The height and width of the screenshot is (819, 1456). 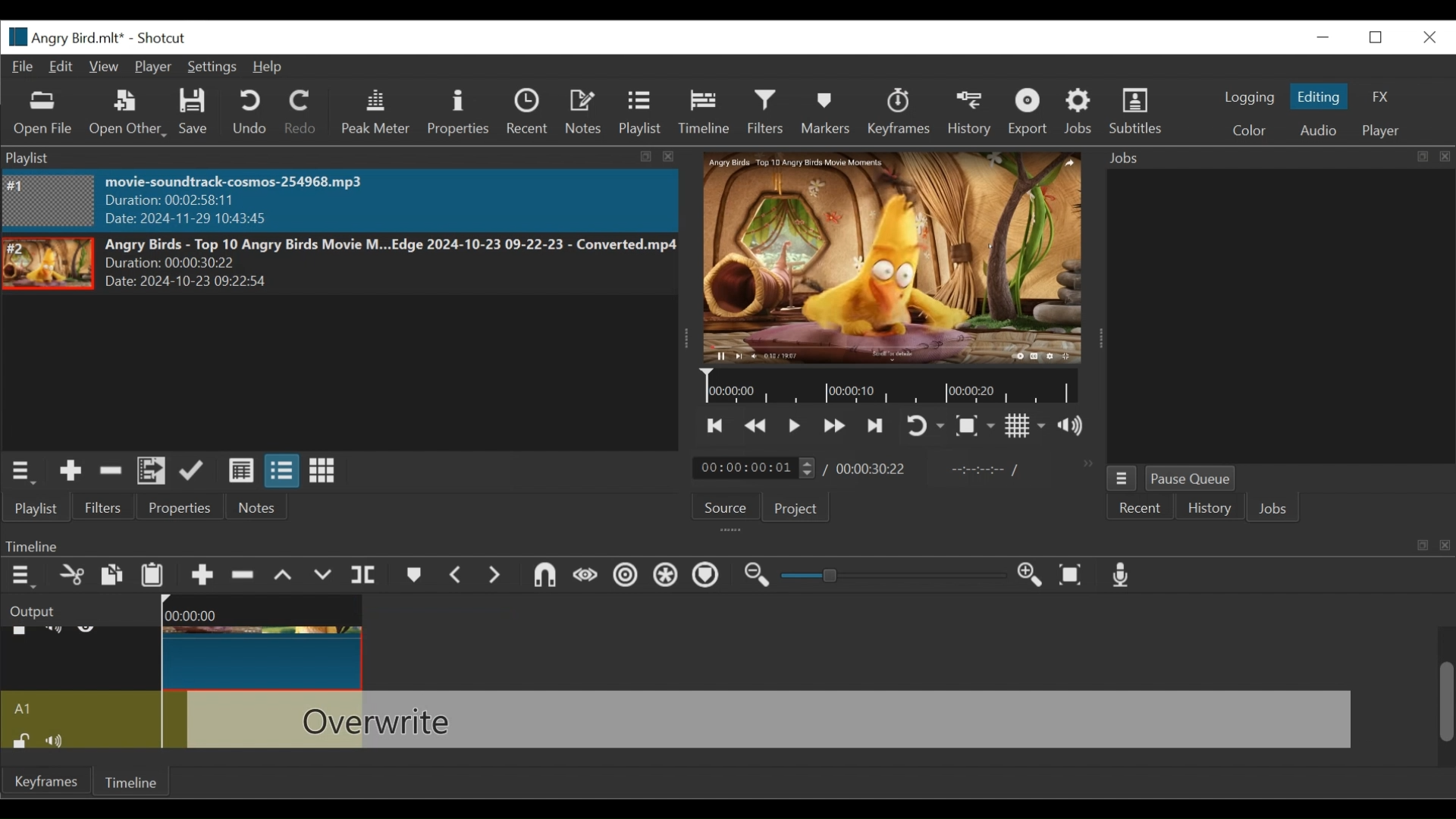 I want to click on Toggle Zoom, so click(x=977, y=427).